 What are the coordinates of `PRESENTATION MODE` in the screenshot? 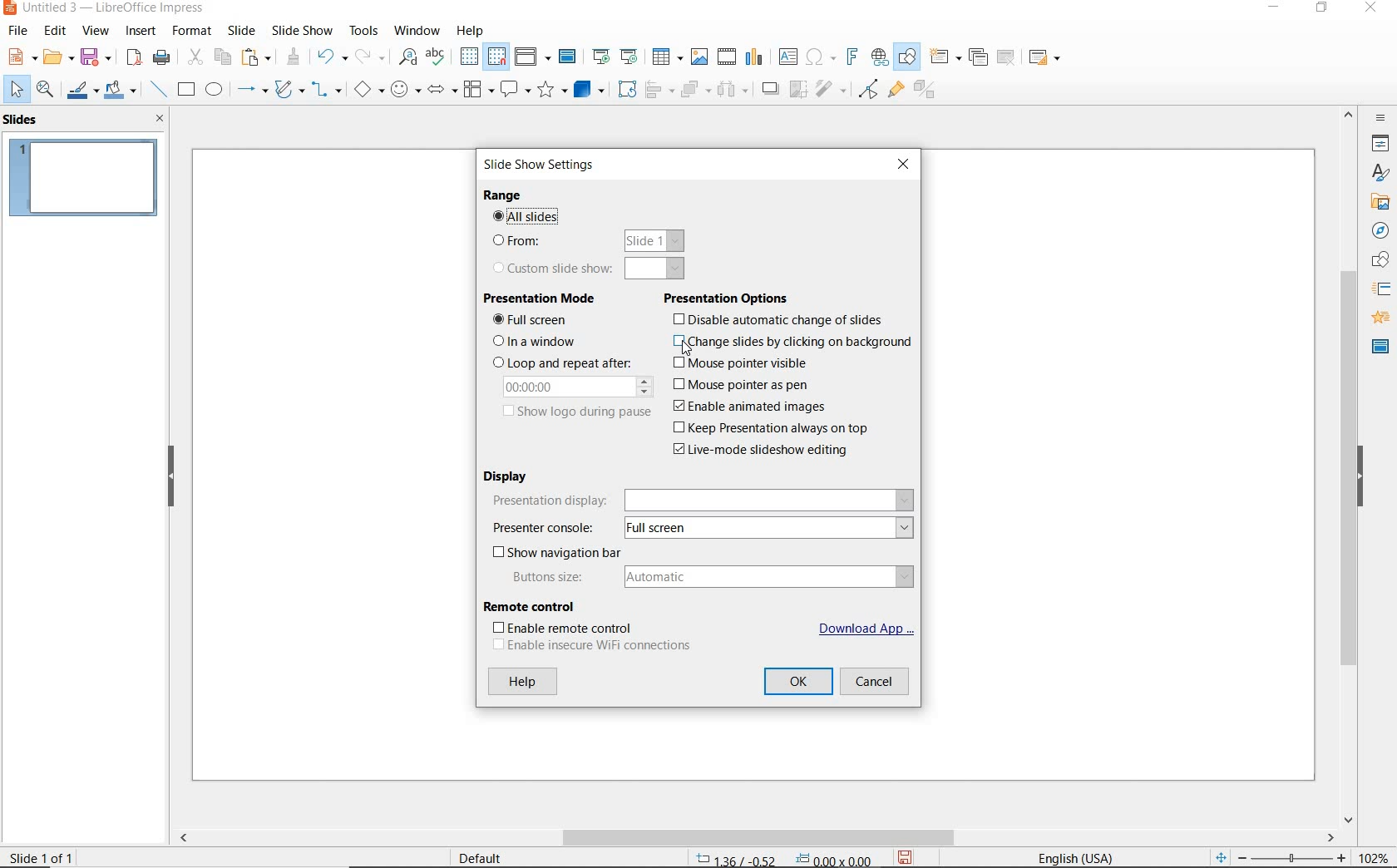 It's located at (551, 299).